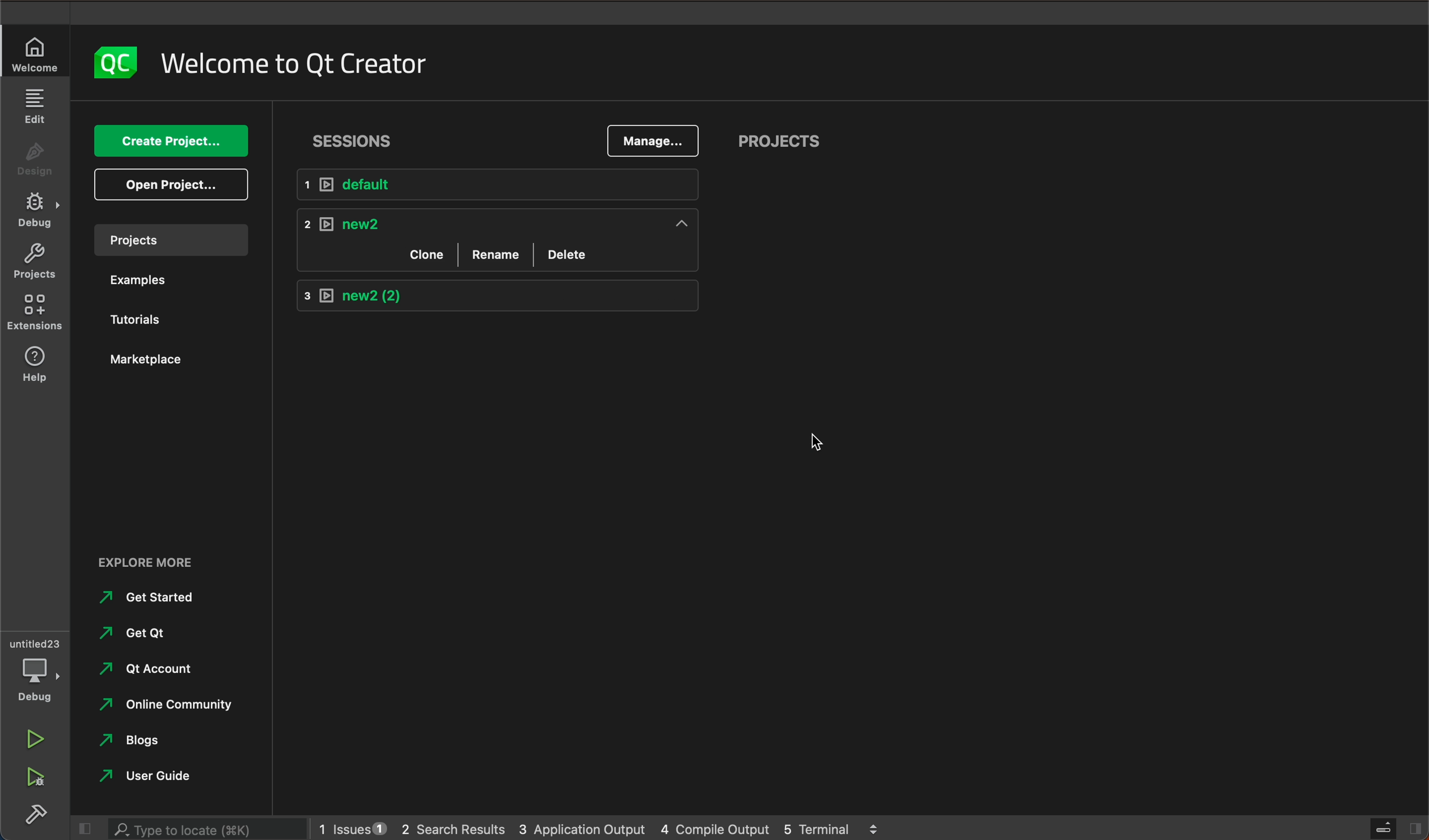 This screenshot has height=840, width=1429. Describe the element at coordinates (145, 598) in the screenshot. I see `get started` at that location.